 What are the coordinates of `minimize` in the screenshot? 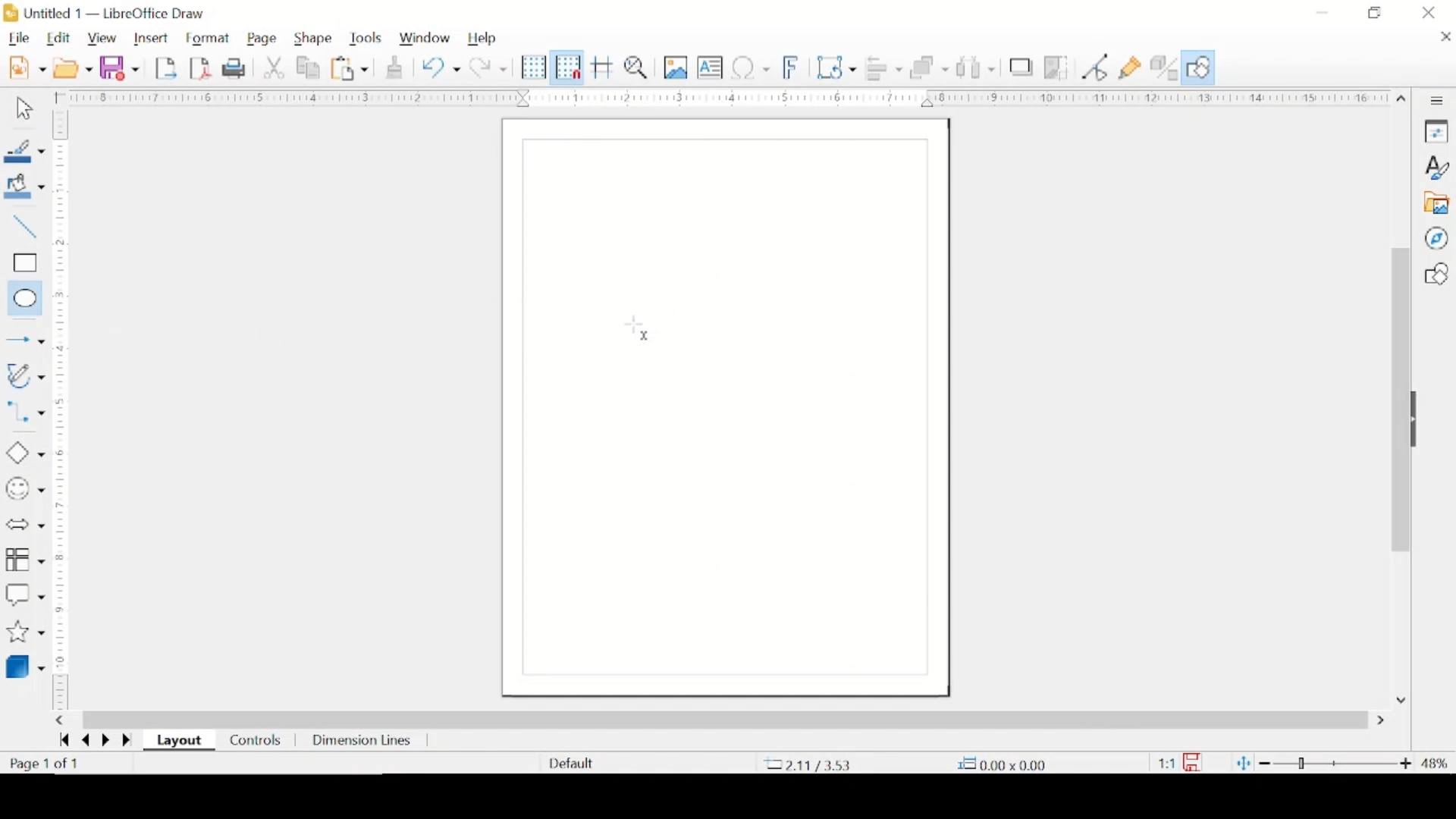 It's located at (1324, 11).